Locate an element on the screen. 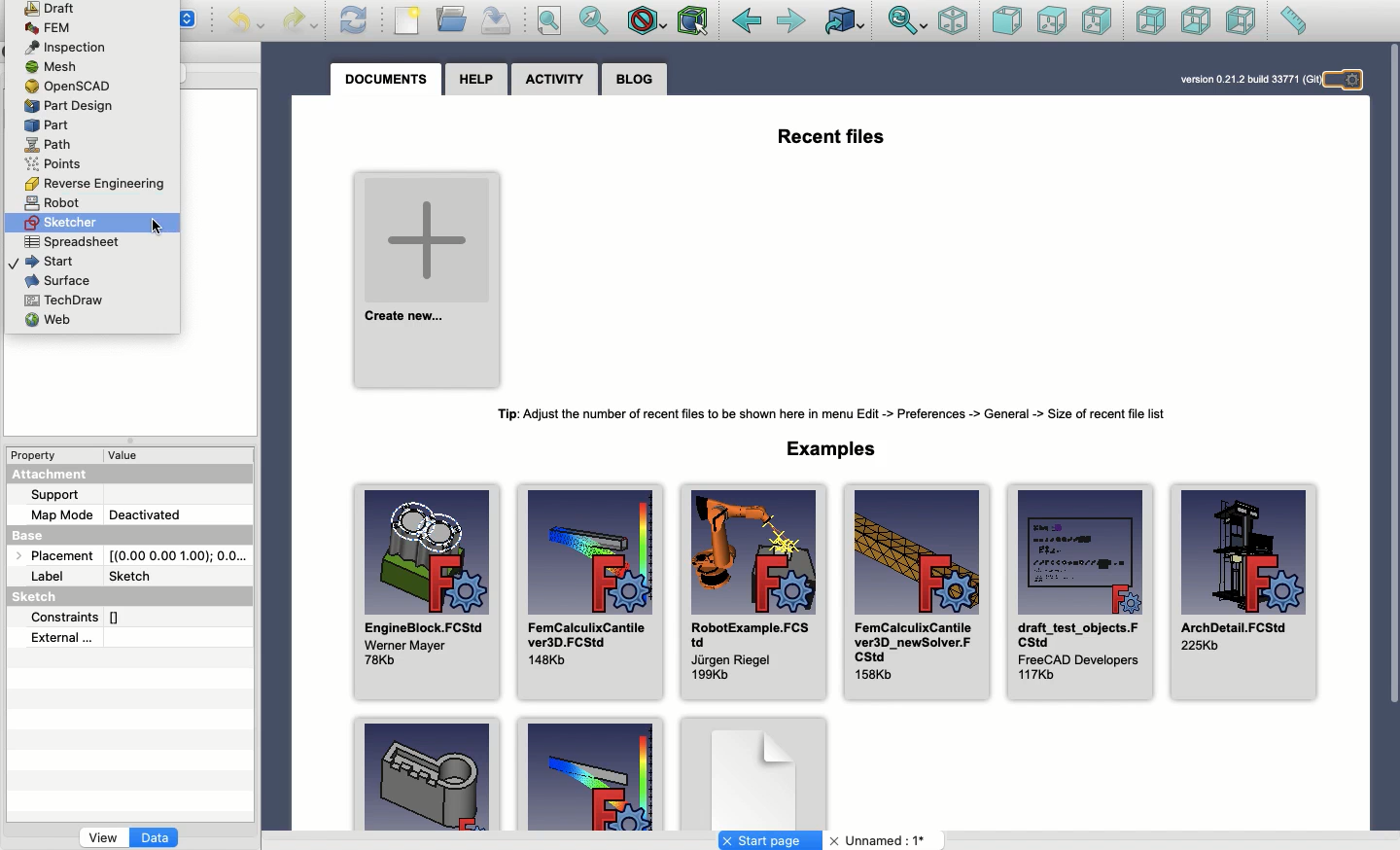 The width and height of the screenshot is (1400, 850). Isometric is located at coordinates (954, 20).